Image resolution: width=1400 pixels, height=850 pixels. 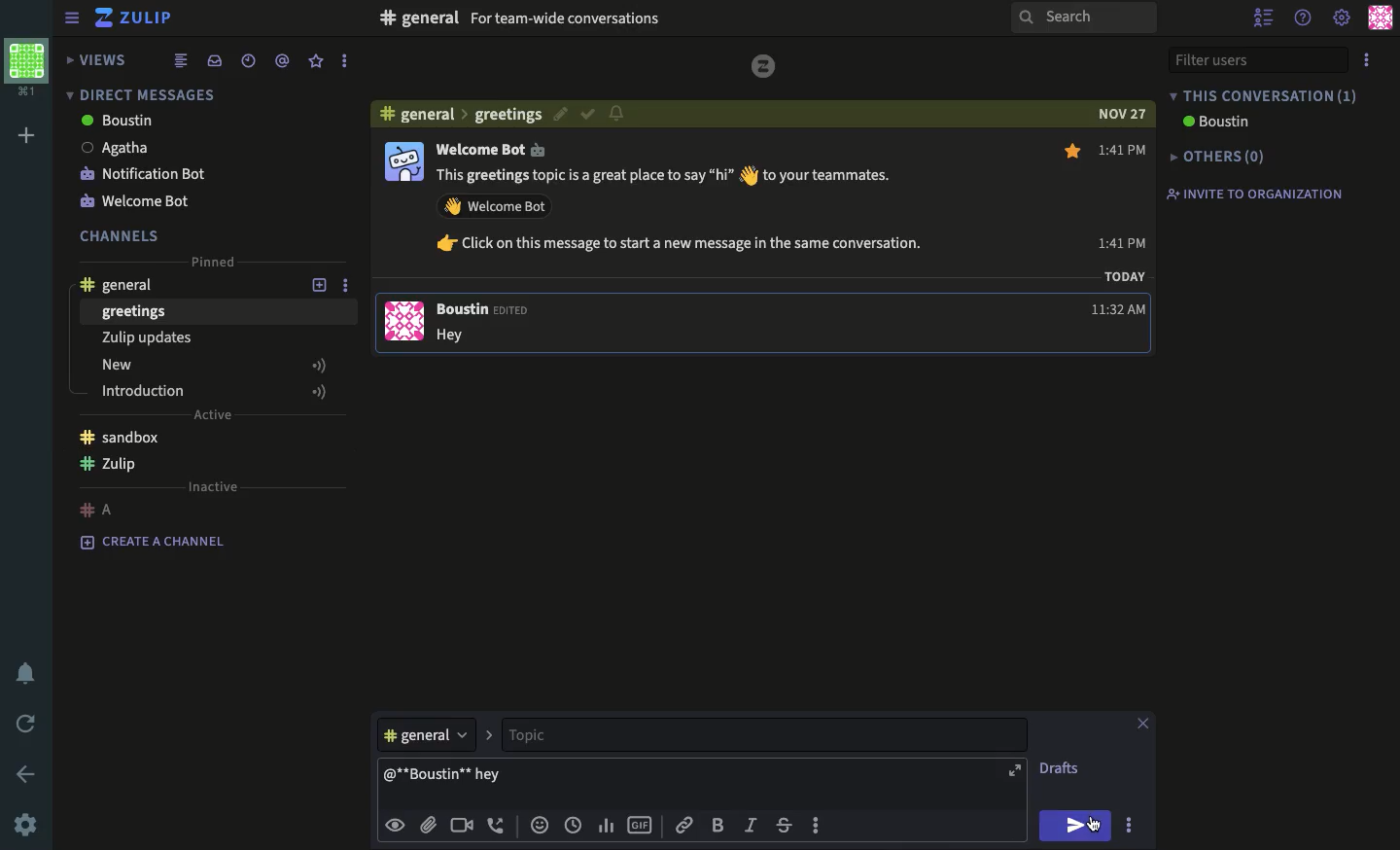 What do you see at coordinates (562, 733) in the screenshot?
I see `topic` at bounding box center [562, 733].